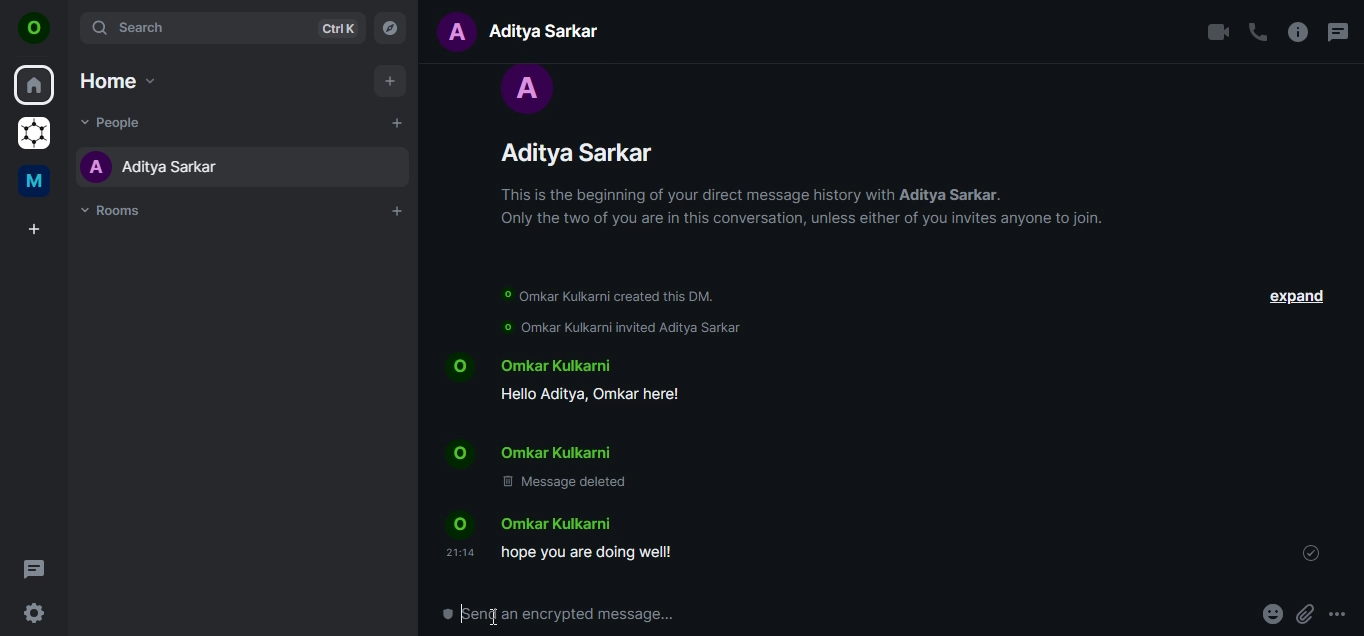  Describe the element at coordinates (1297, 297) in the screenshot. I see `expand` at that location.